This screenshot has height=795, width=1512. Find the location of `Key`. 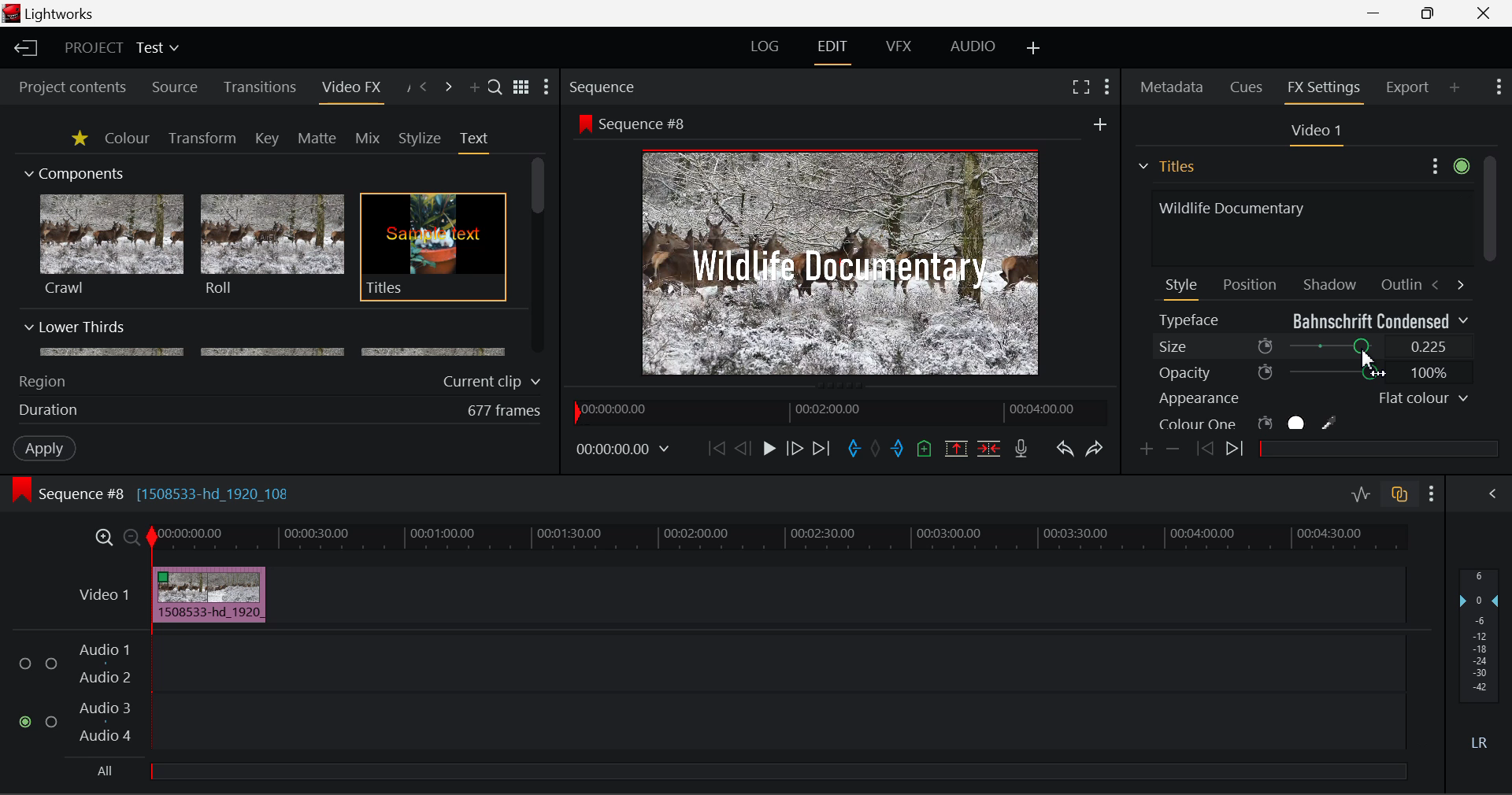

Key is located at coordinates (269, 139).